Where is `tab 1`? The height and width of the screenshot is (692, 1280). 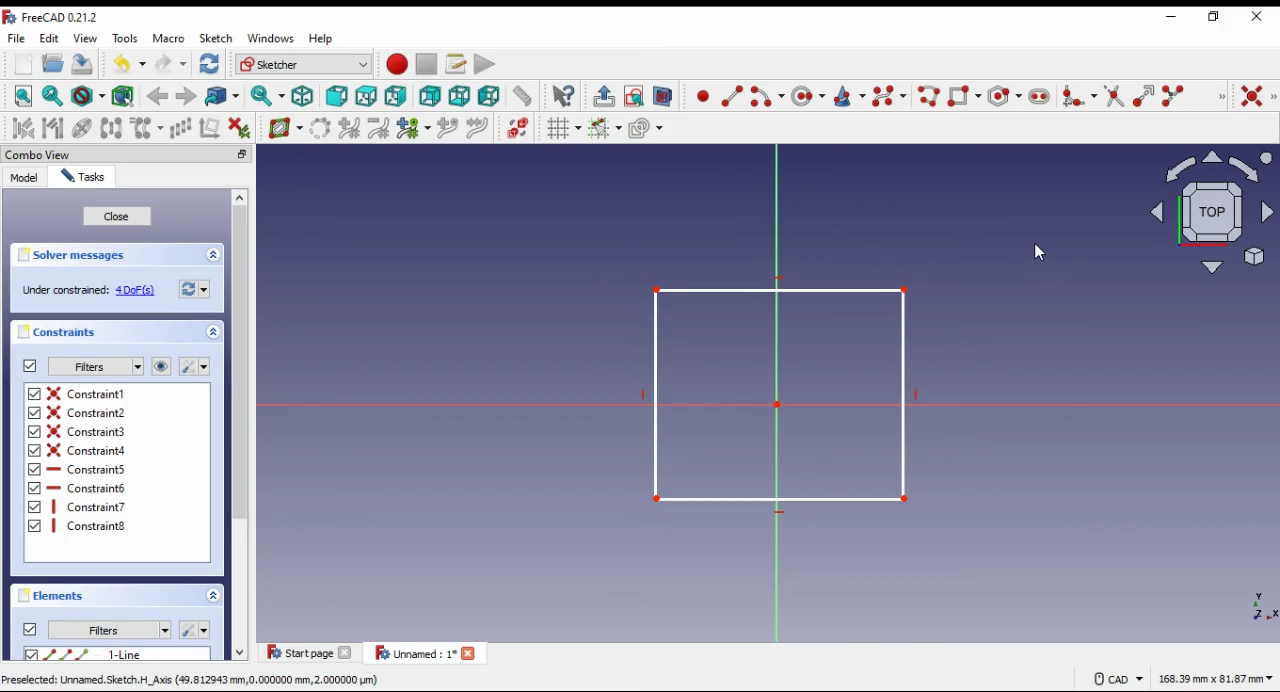 tab 1 is located at coordinates (311, 652).